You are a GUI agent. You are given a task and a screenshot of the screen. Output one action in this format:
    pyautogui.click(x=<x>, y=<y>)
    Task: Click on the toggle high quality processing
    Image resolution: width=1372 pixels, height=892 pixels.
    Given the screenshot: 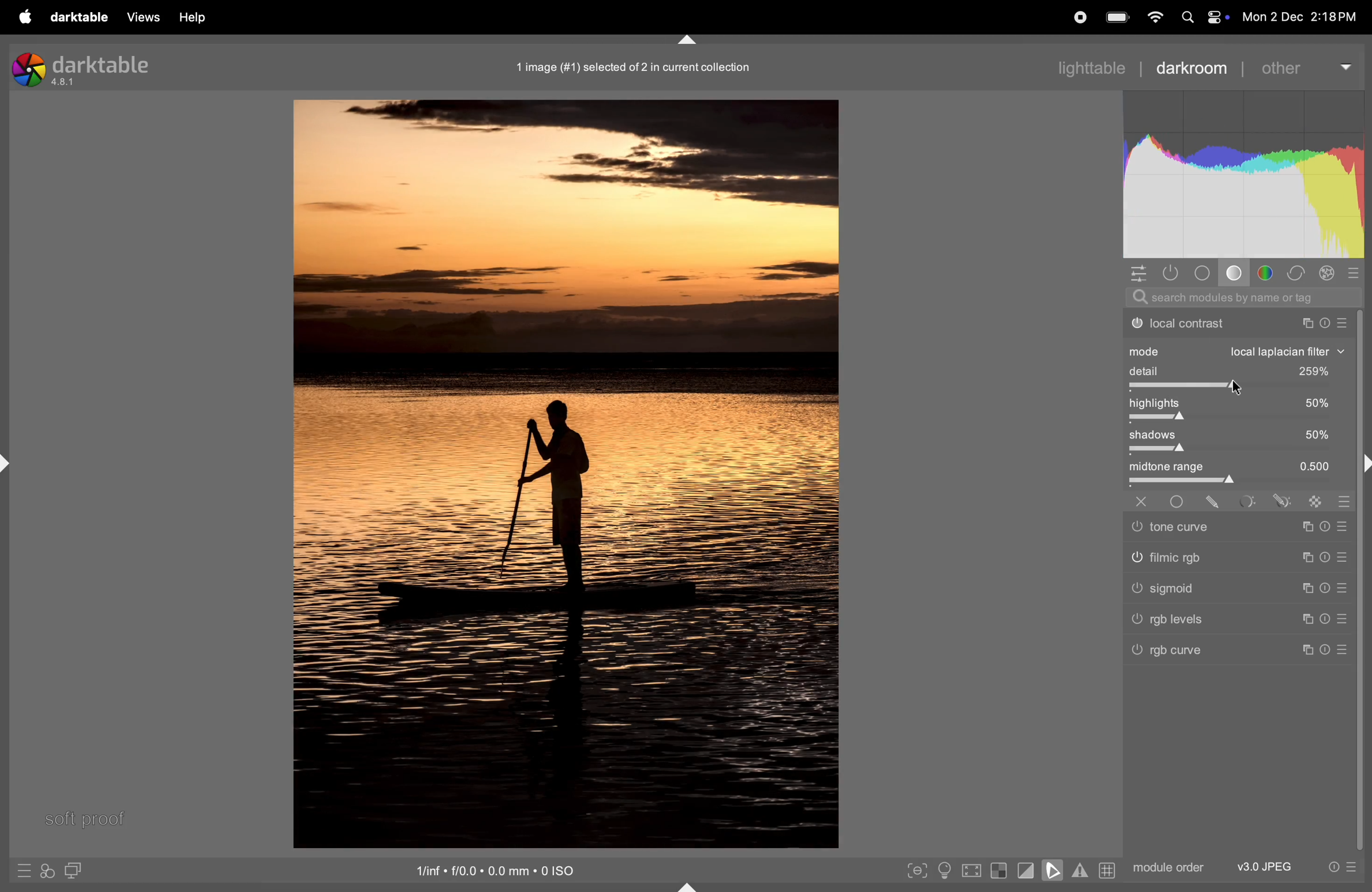 What is the action you would take?
    pyautogui.click(x=969, y=870)
    